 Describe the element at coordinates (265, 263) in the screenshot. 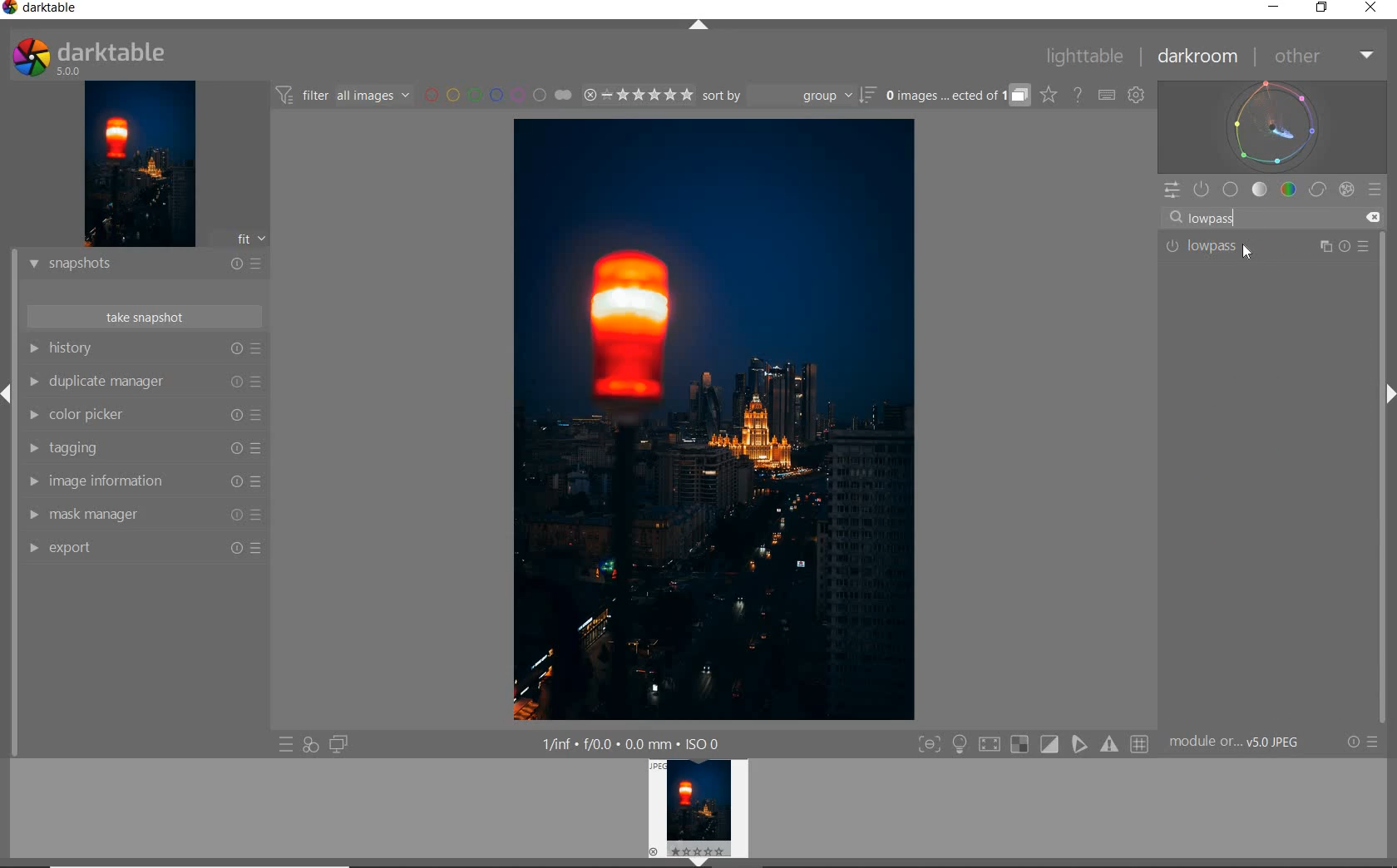

I see `Preset and reset` at that location.